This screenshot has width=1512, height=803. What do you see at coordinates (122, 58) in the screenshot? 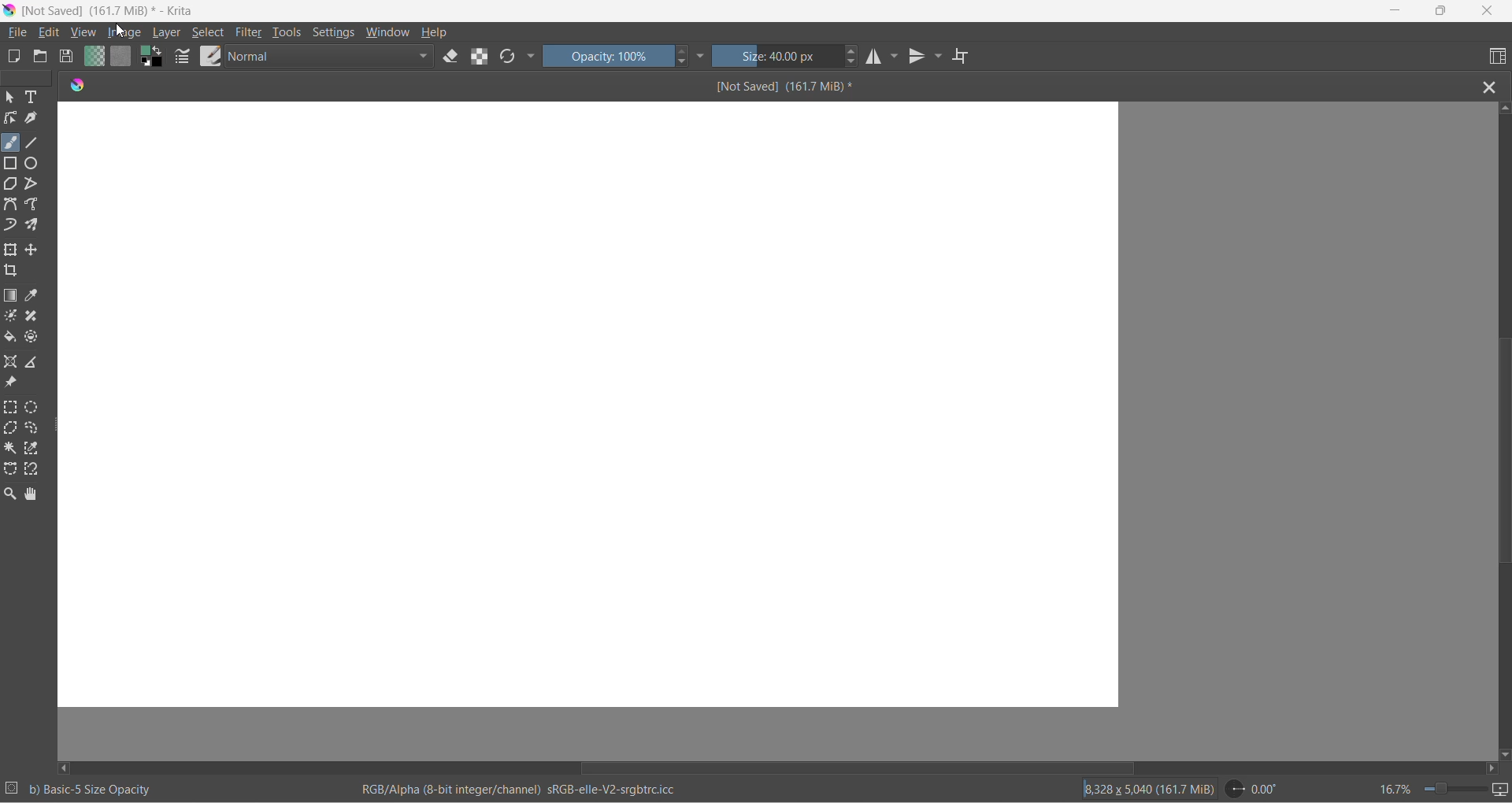
I see `fill patterns` at bounding box center [122, 58].